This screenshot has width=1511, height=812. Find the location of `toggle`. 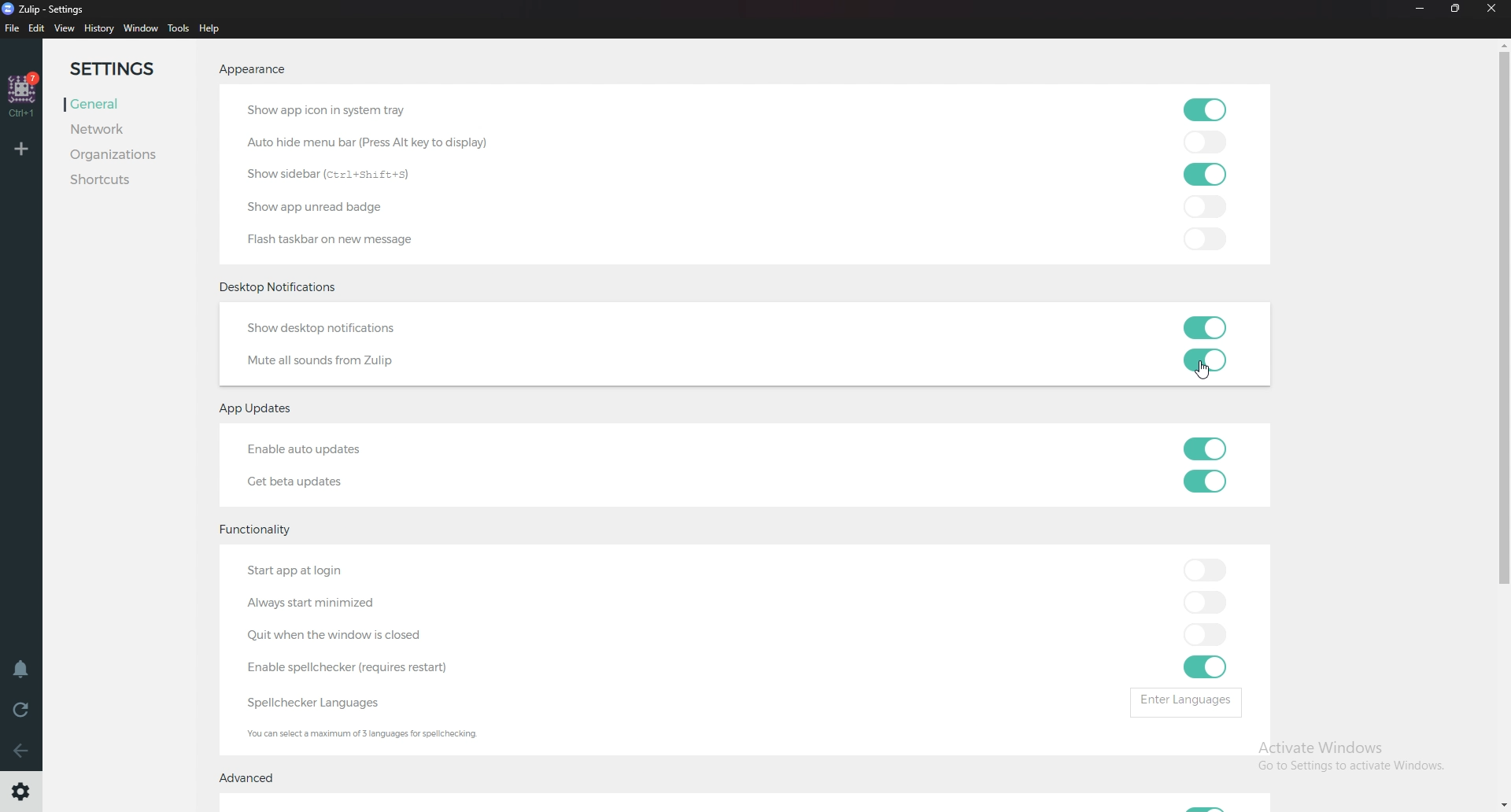

toggle is located at coordinates (1205, 666).